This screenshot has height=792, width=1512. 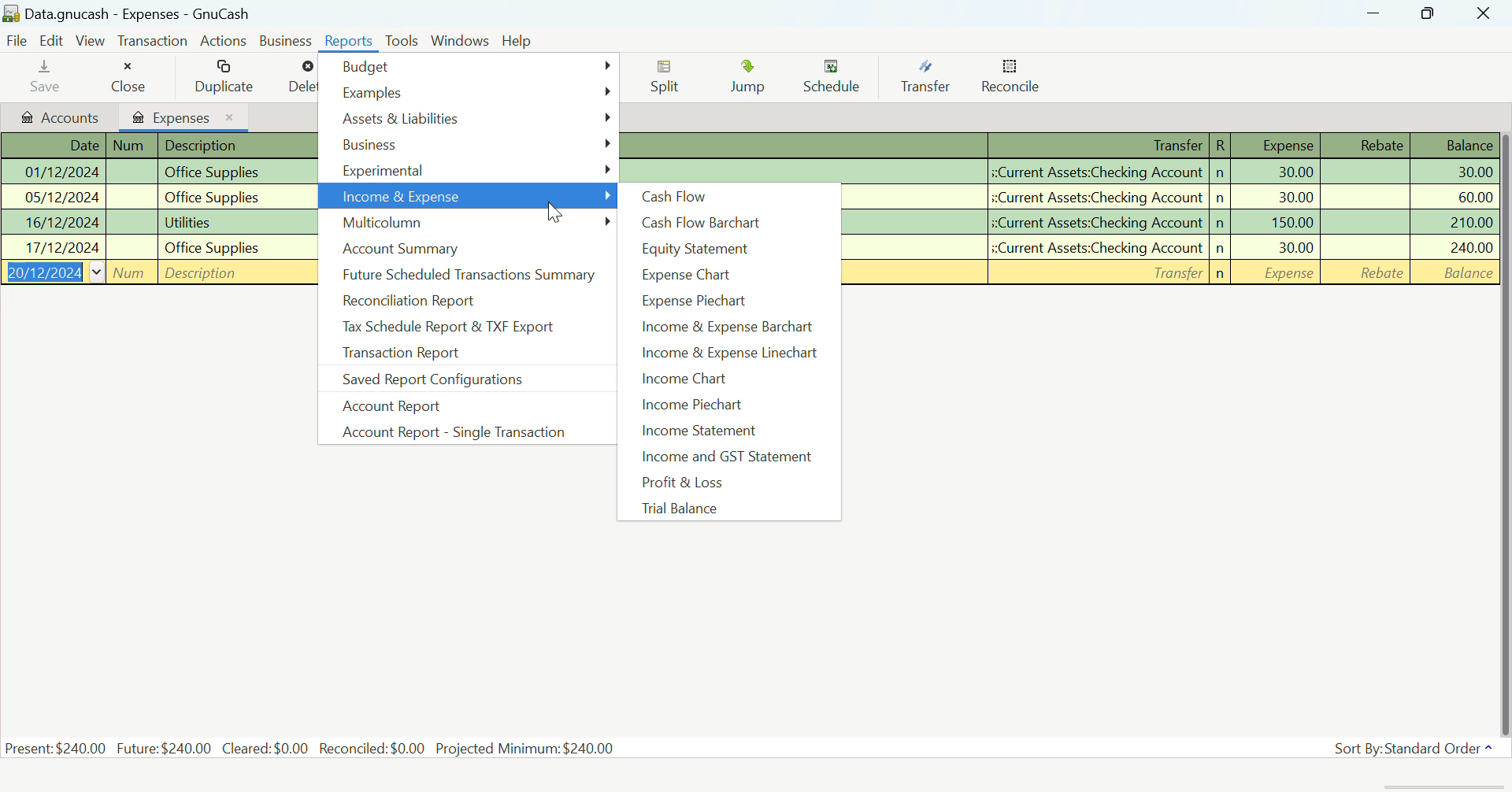 What do you see at coordinates (462, 250) in the screenshot?
I see `Account Summary` at bounding box center [462, 250].